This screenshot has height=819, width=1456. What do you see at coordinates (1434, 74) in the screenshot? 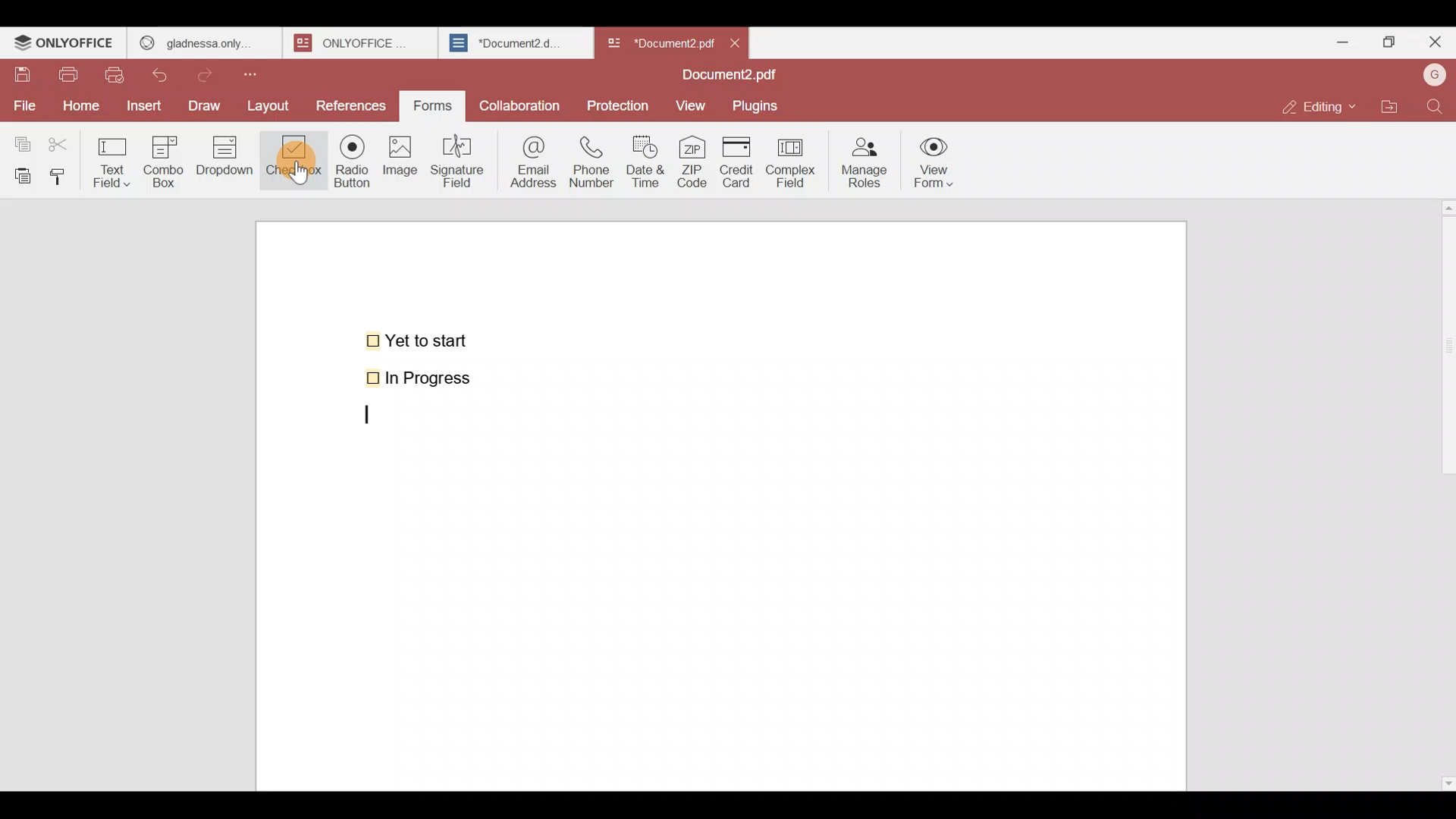
I see `Account name` at bounding box center [1434, 74].